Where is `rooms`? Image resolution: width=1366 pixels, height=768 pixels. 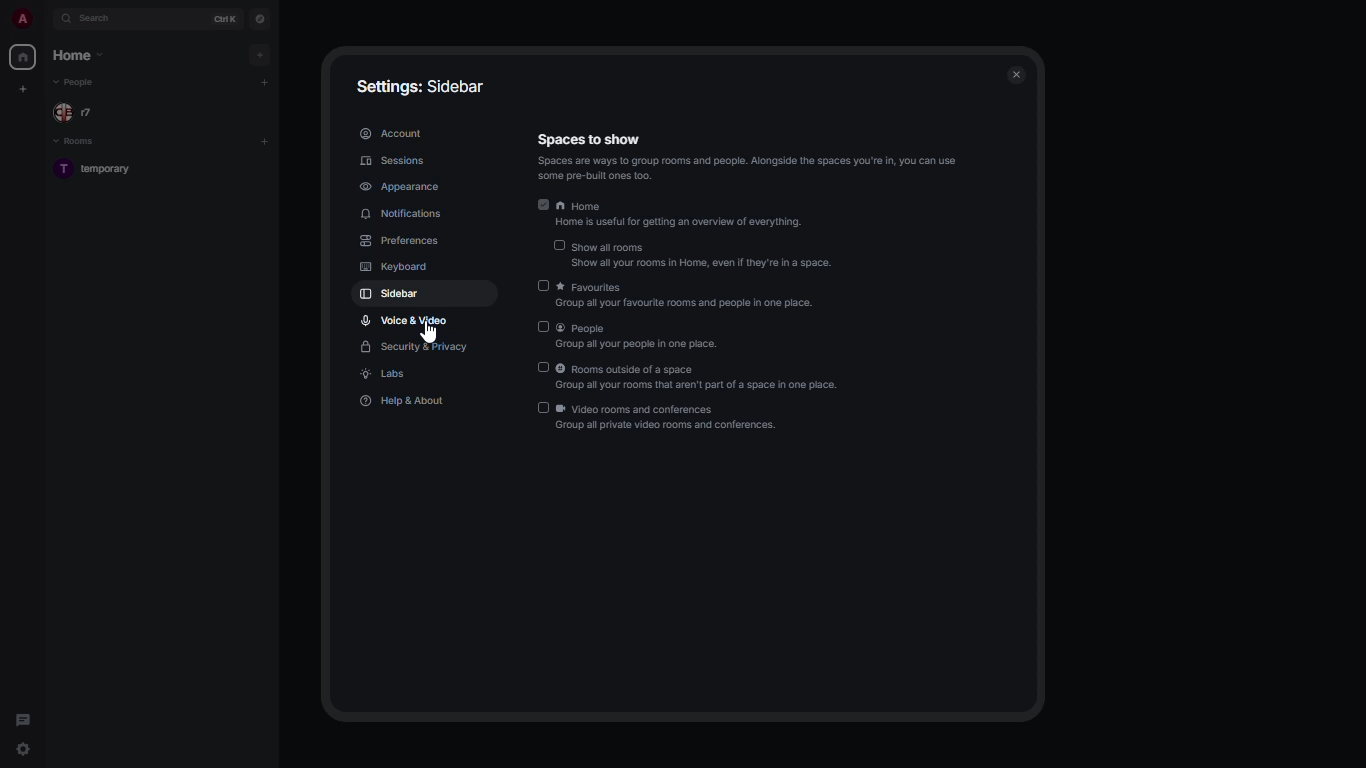
rooms is located at coordinates (81, 143).